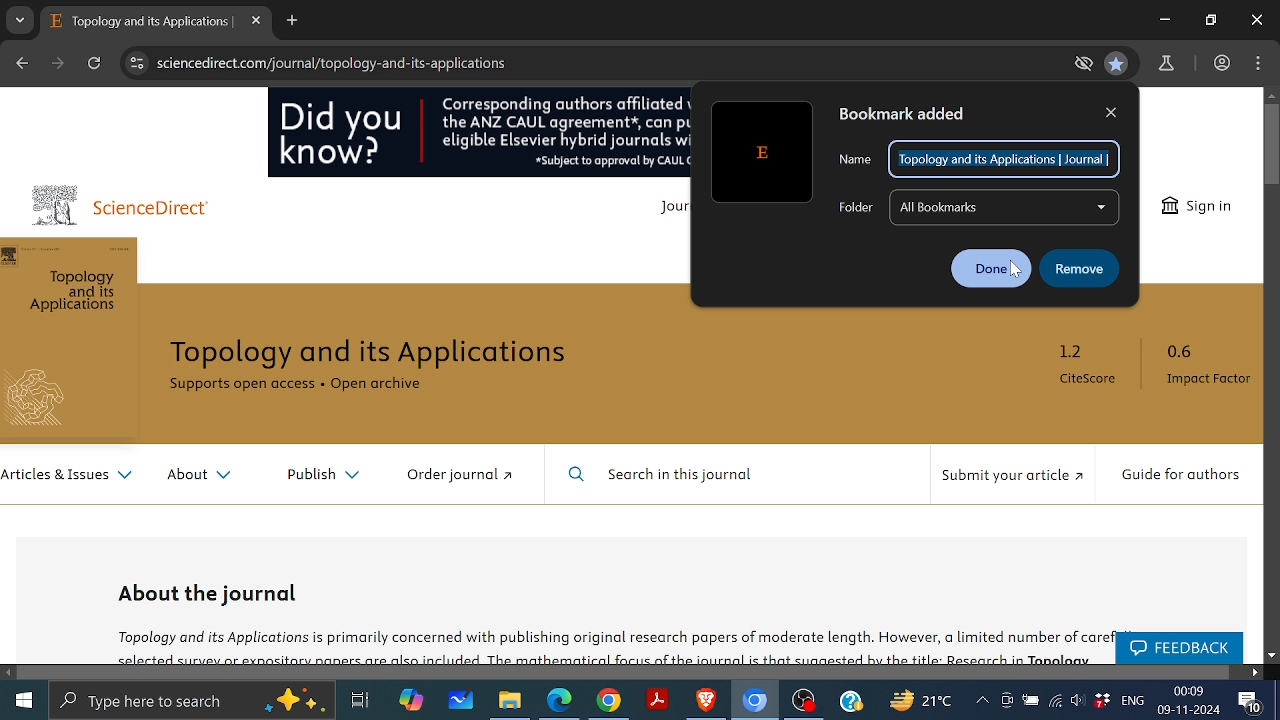  Describe the element at coordinates (383, 353) in the screenshot. I see `Topology and its Applications` at that location.